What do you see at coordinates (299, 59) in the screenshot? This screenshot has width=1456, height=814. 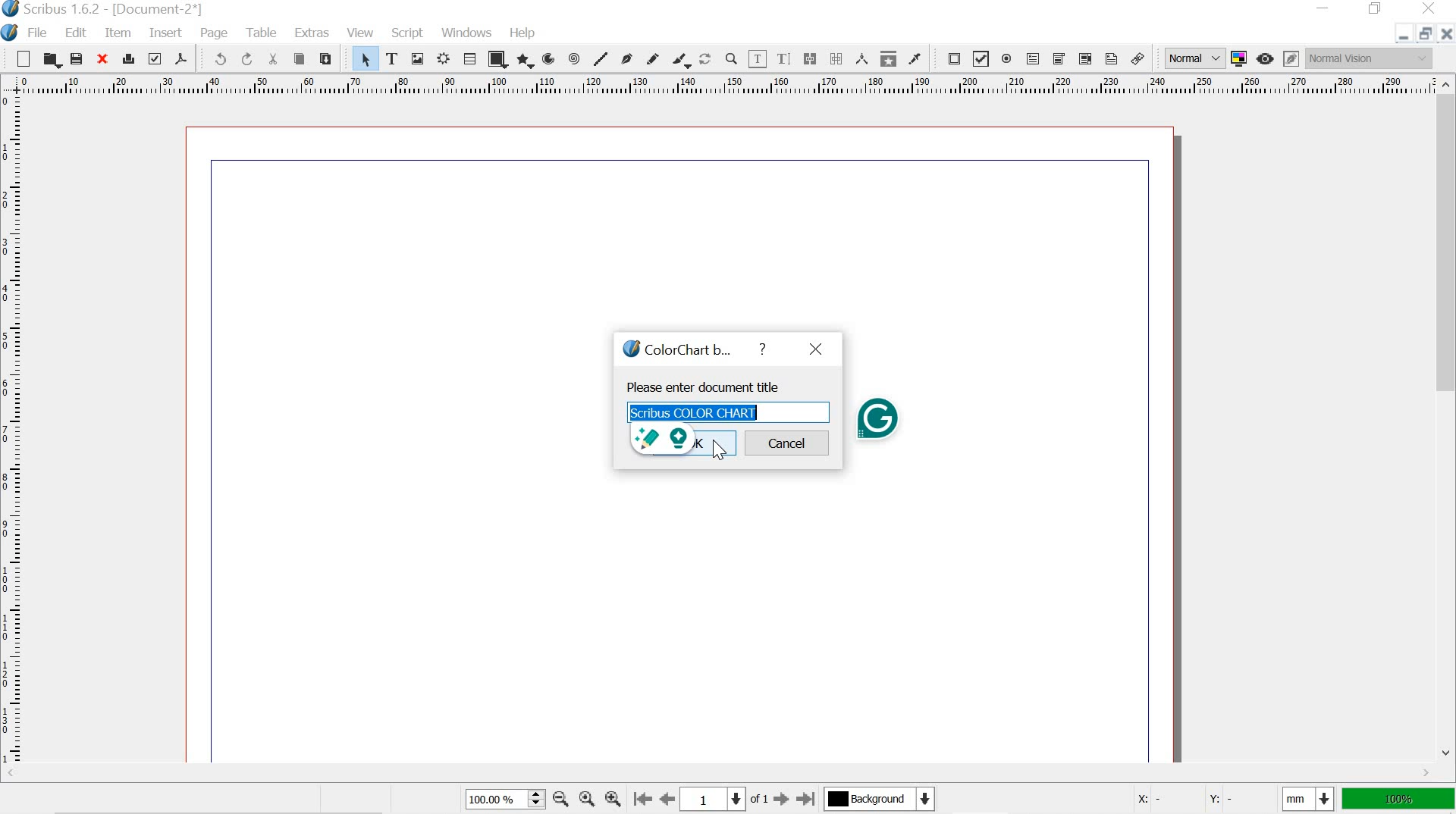 I see `copy` at bounding box center [299, 59].